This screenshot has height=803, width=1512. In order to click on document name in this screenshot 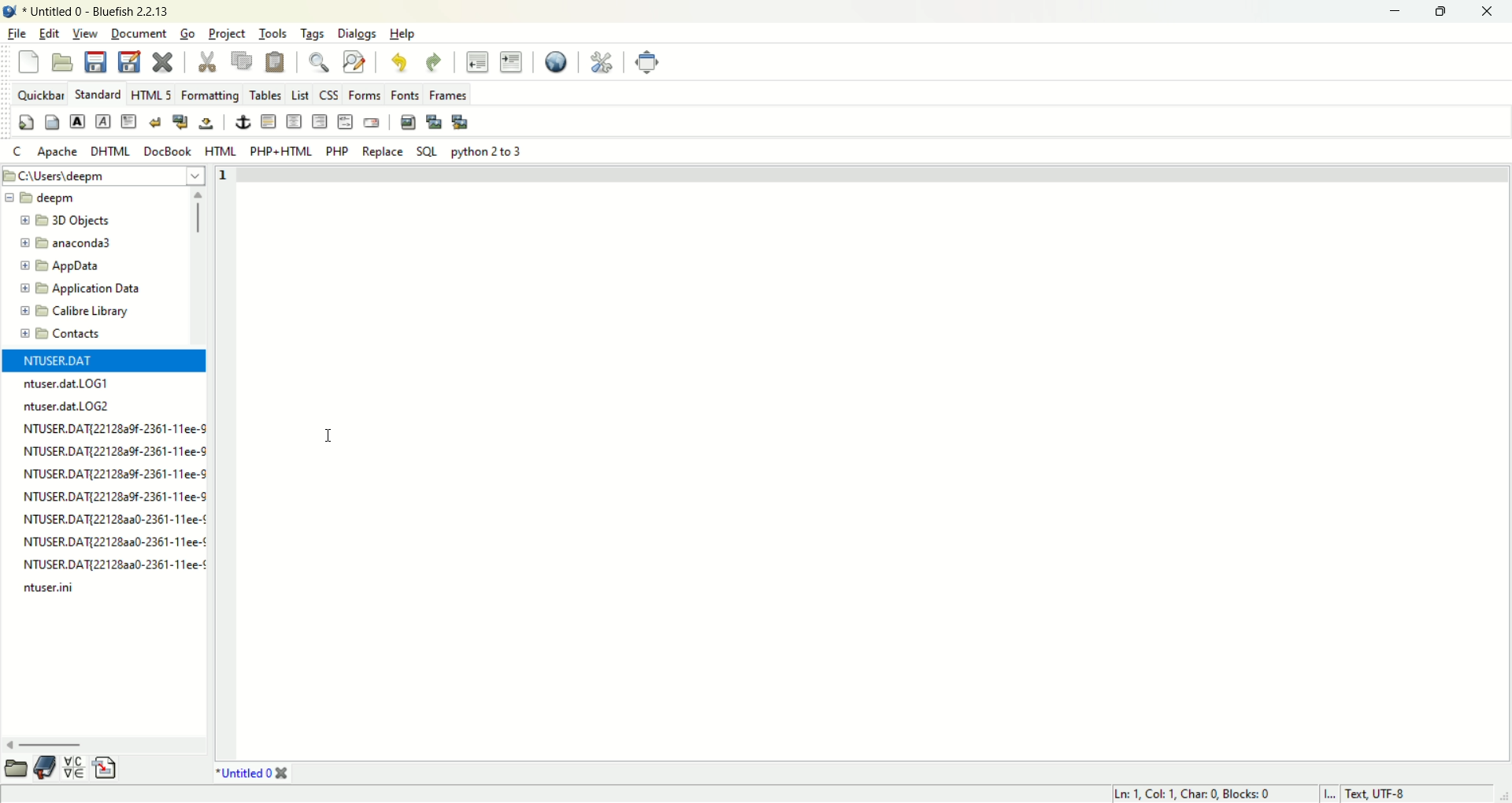, I will do `click(245, 772)`.